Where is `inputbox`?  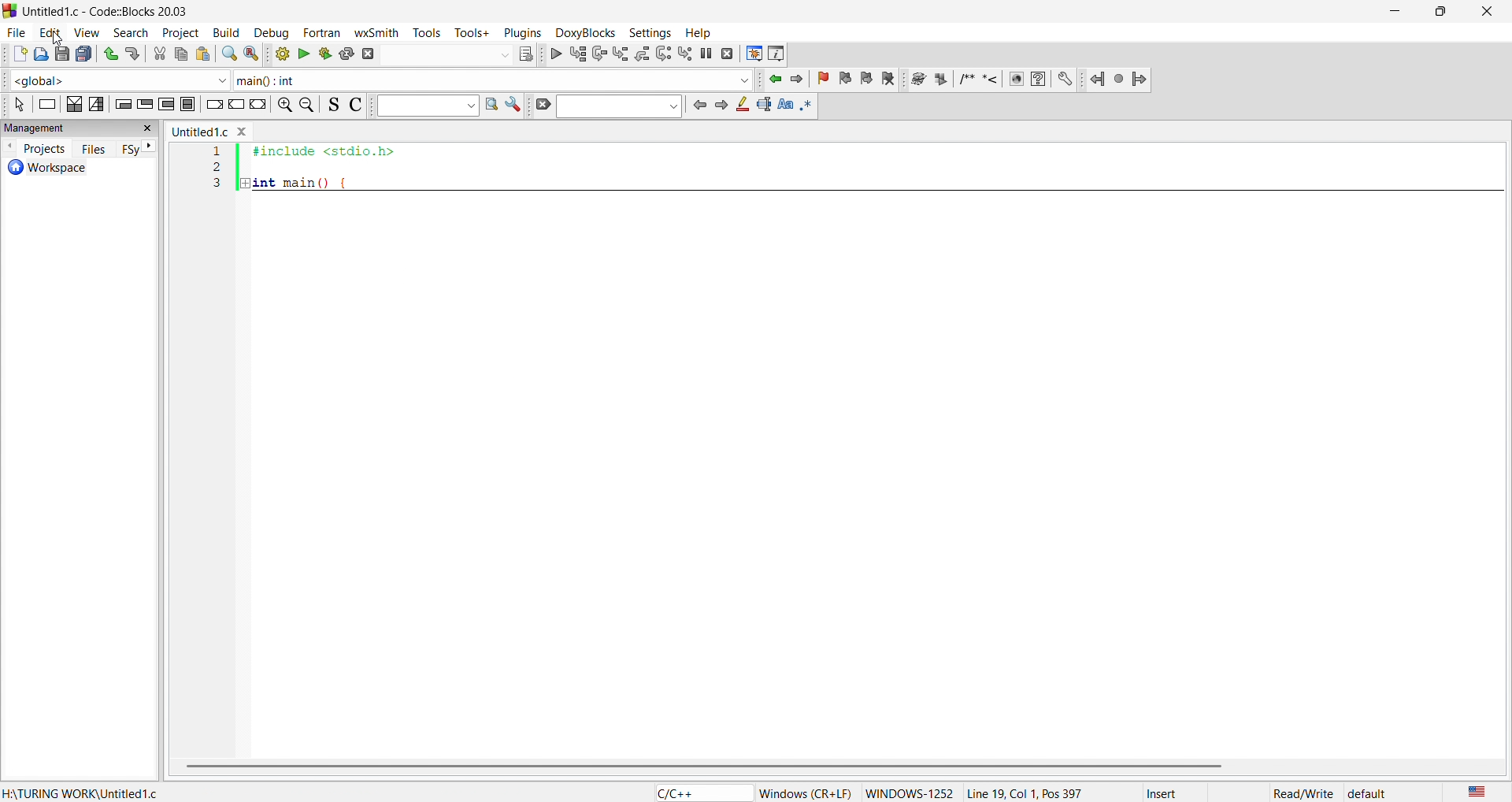 inputbox is located at coordinates (618, 106).